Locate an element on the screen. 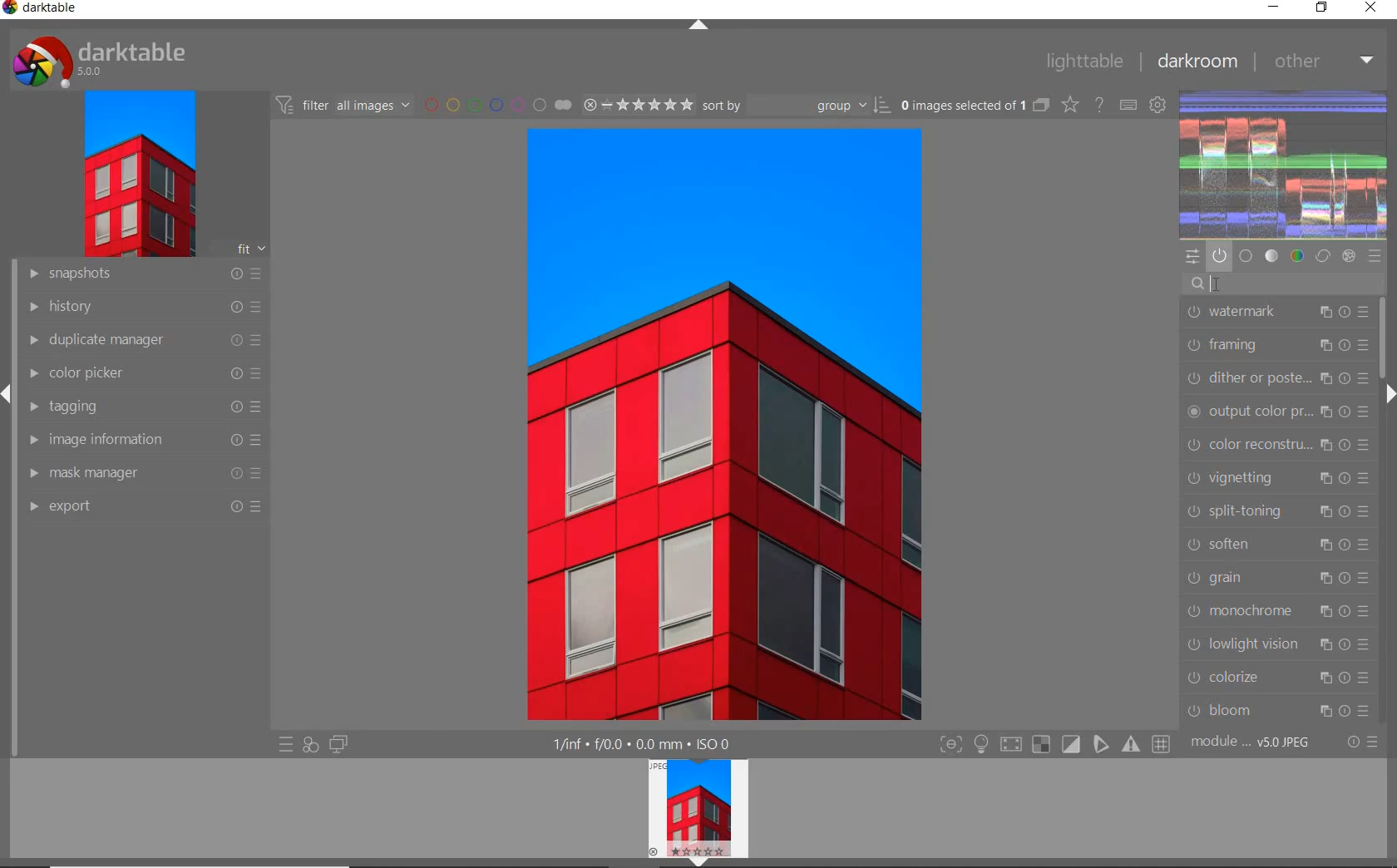  colorize is located at coordinates (1279, 676).